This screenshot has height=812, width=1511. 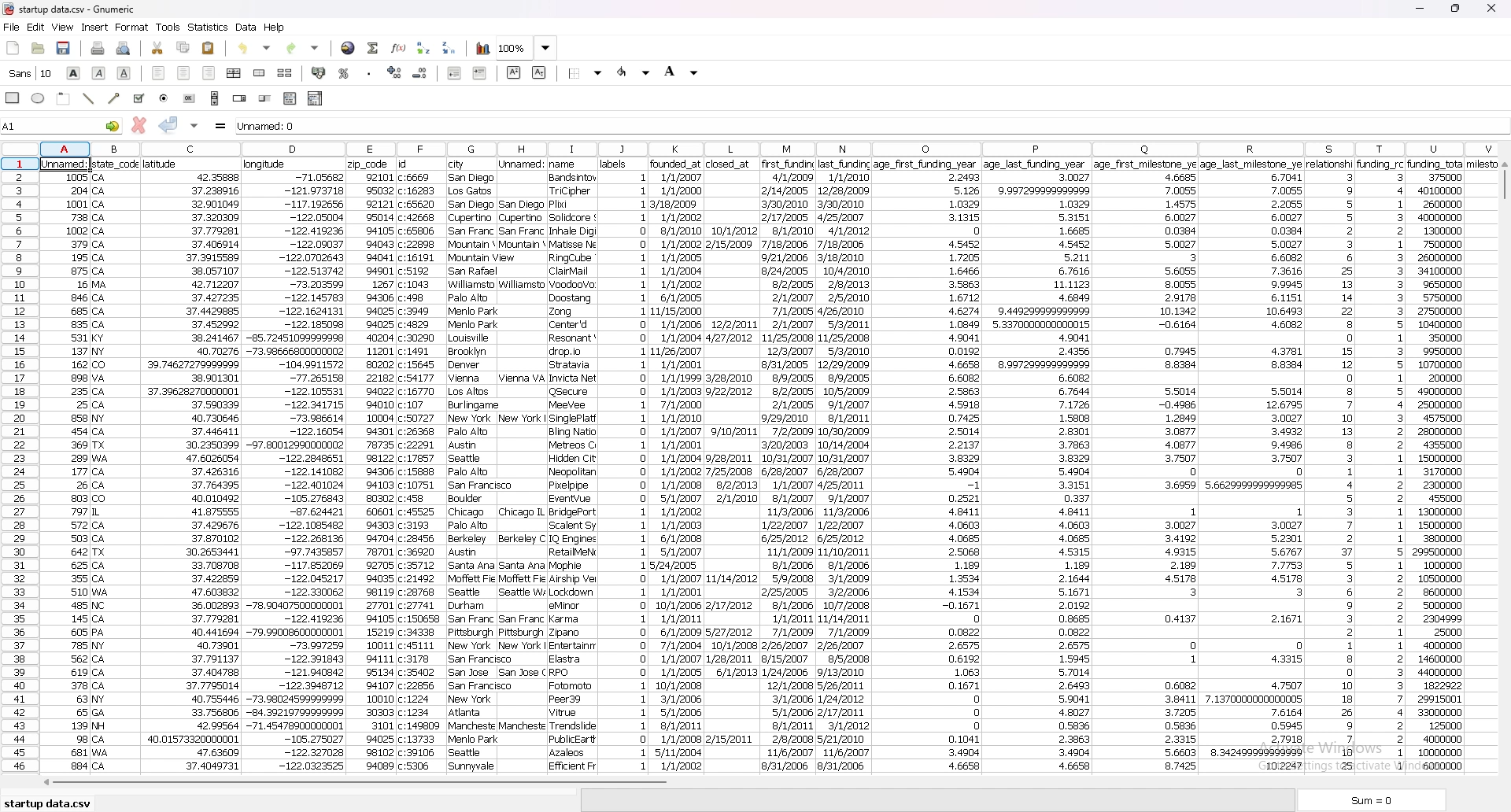 I want to click on scroll bar, so click(x=215, y=98).